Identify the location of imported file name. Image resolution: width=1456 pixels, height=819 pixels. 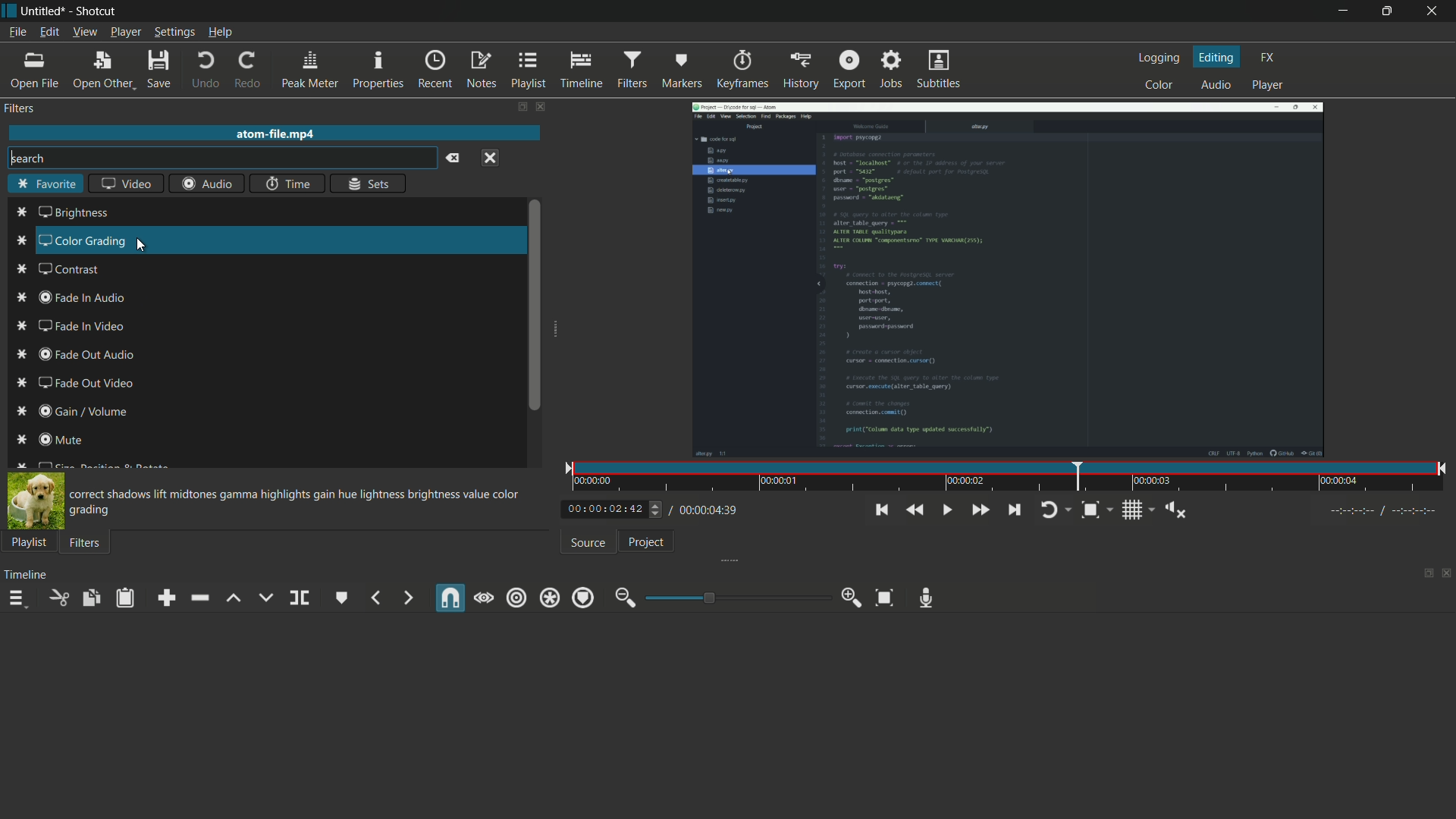
(272, 134).